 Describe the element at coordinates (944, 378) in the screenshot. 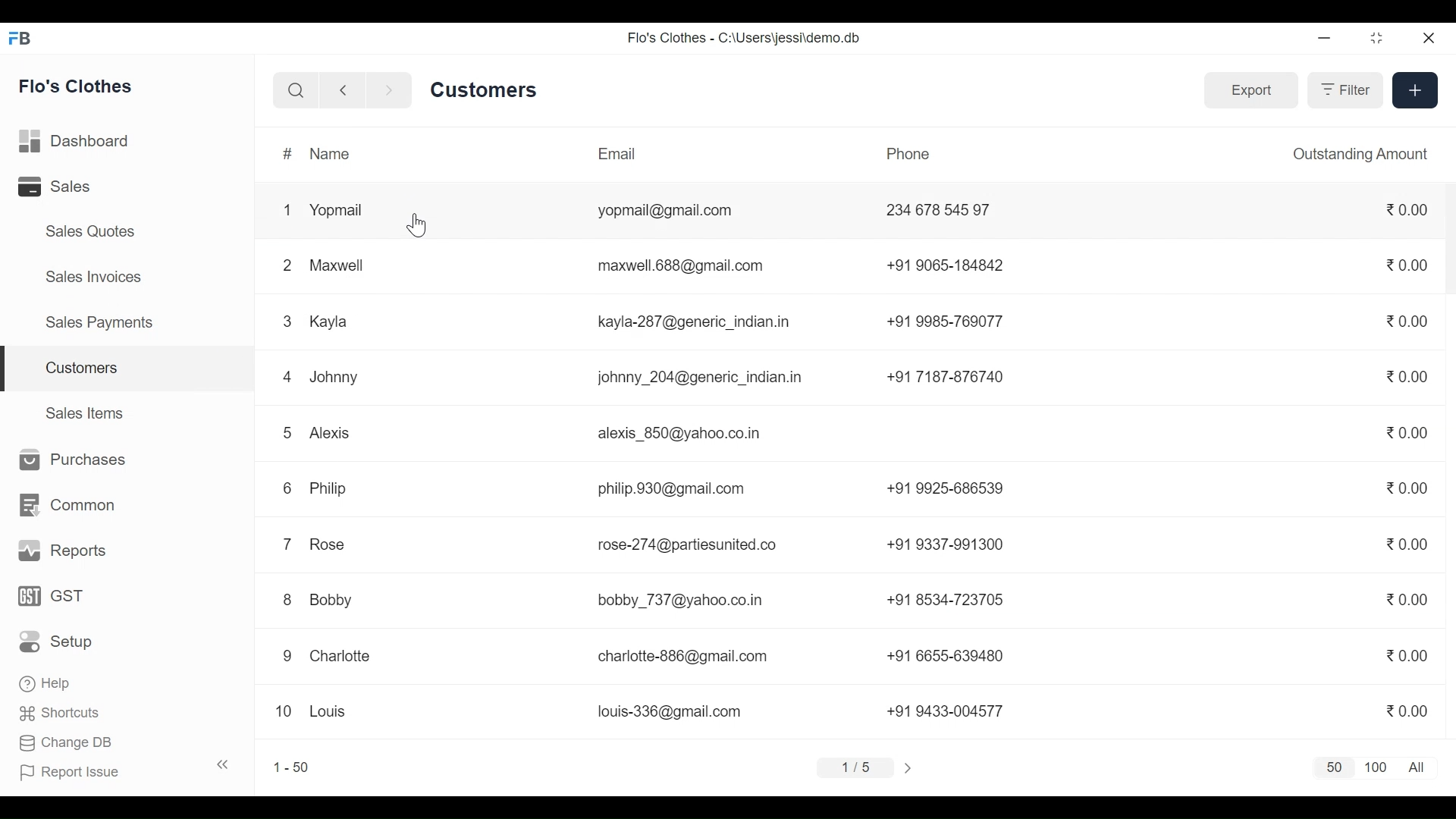

I see `+91 7187-876740` at that location.